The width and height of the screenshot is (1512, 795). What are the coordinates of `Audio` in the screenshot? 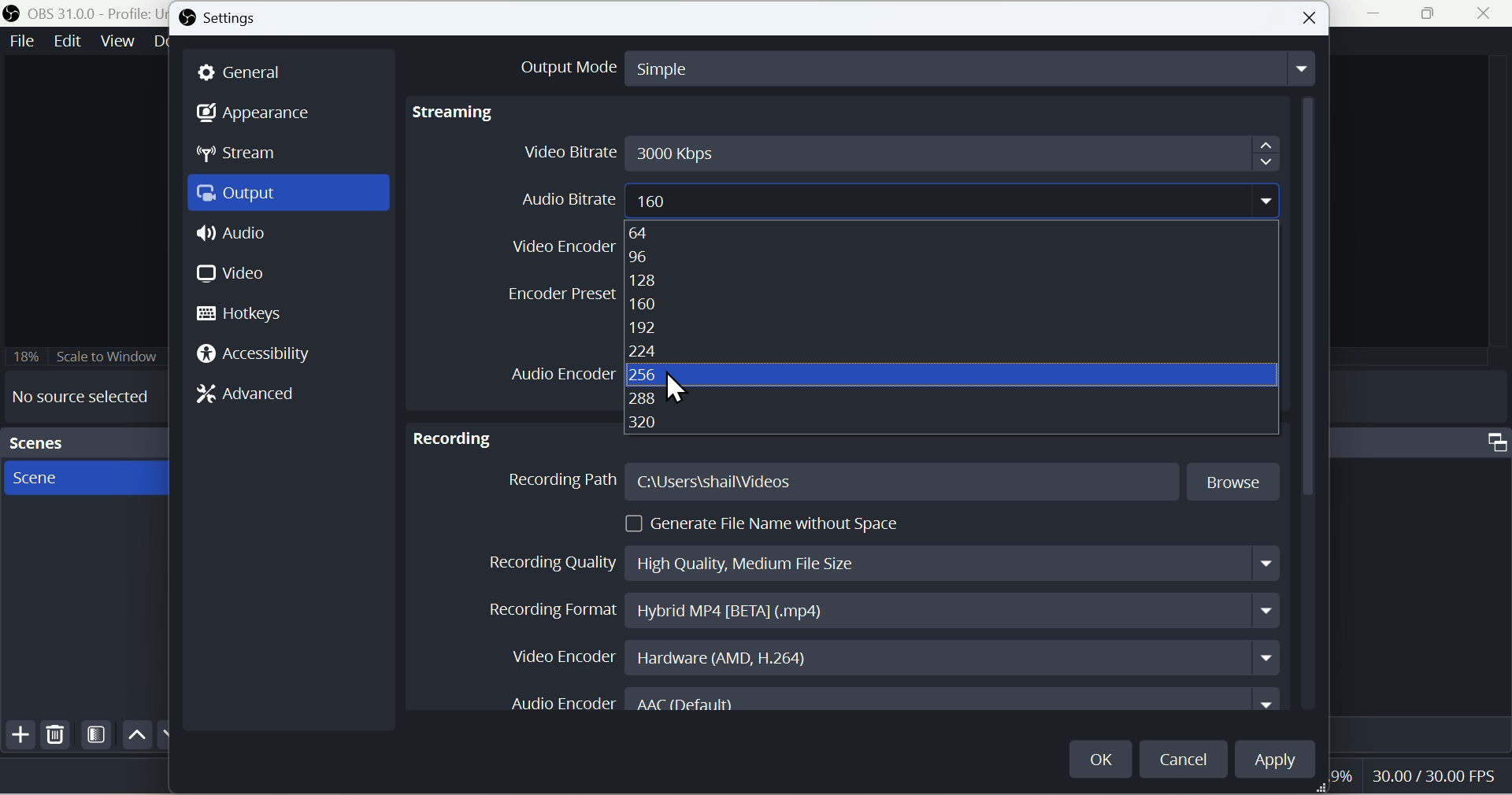 It's located at (235, 238).